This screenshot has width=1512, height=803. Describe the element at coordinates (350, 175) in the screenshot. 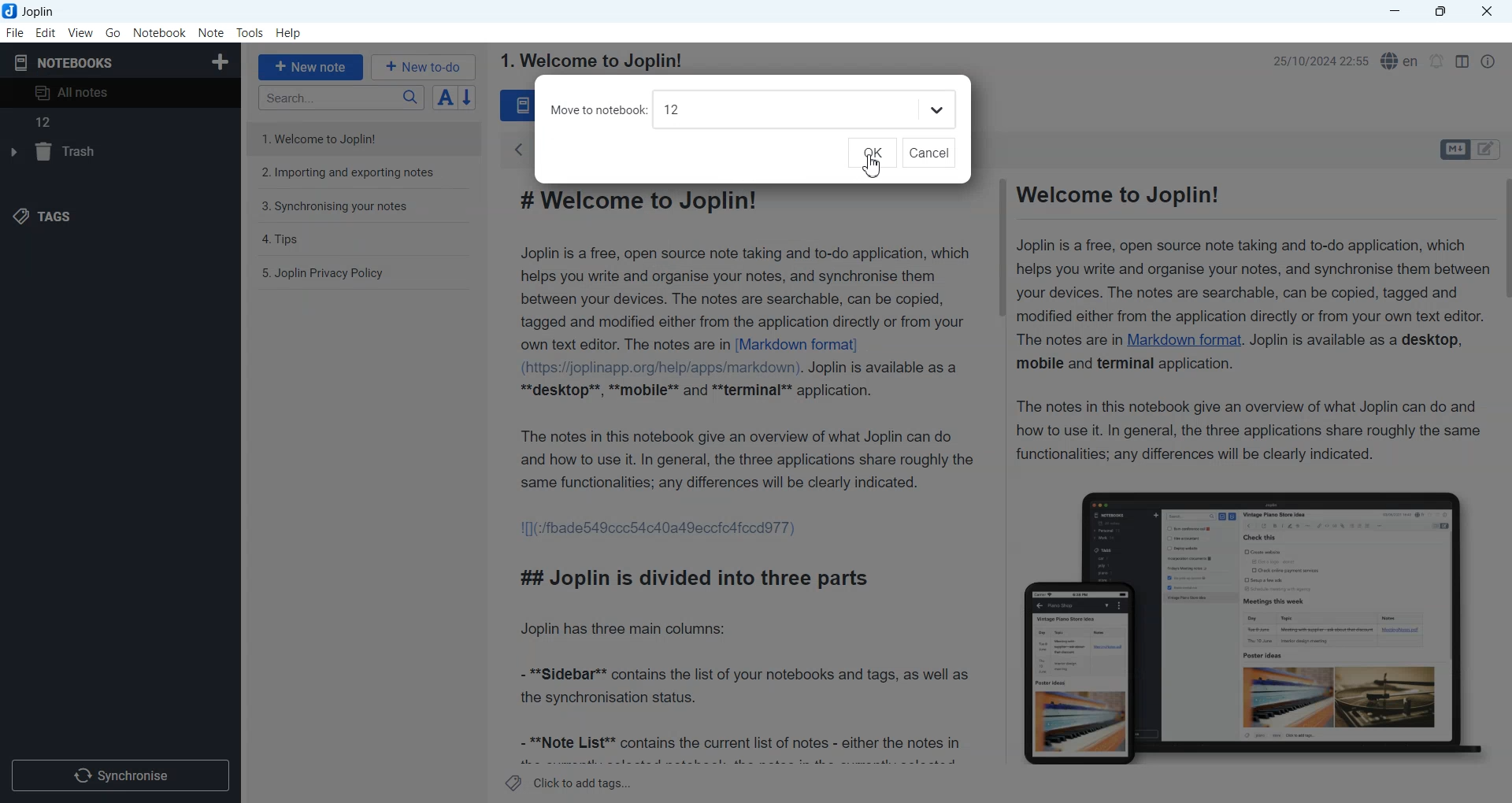

I see `2. Importing and exporting notes` at that location.